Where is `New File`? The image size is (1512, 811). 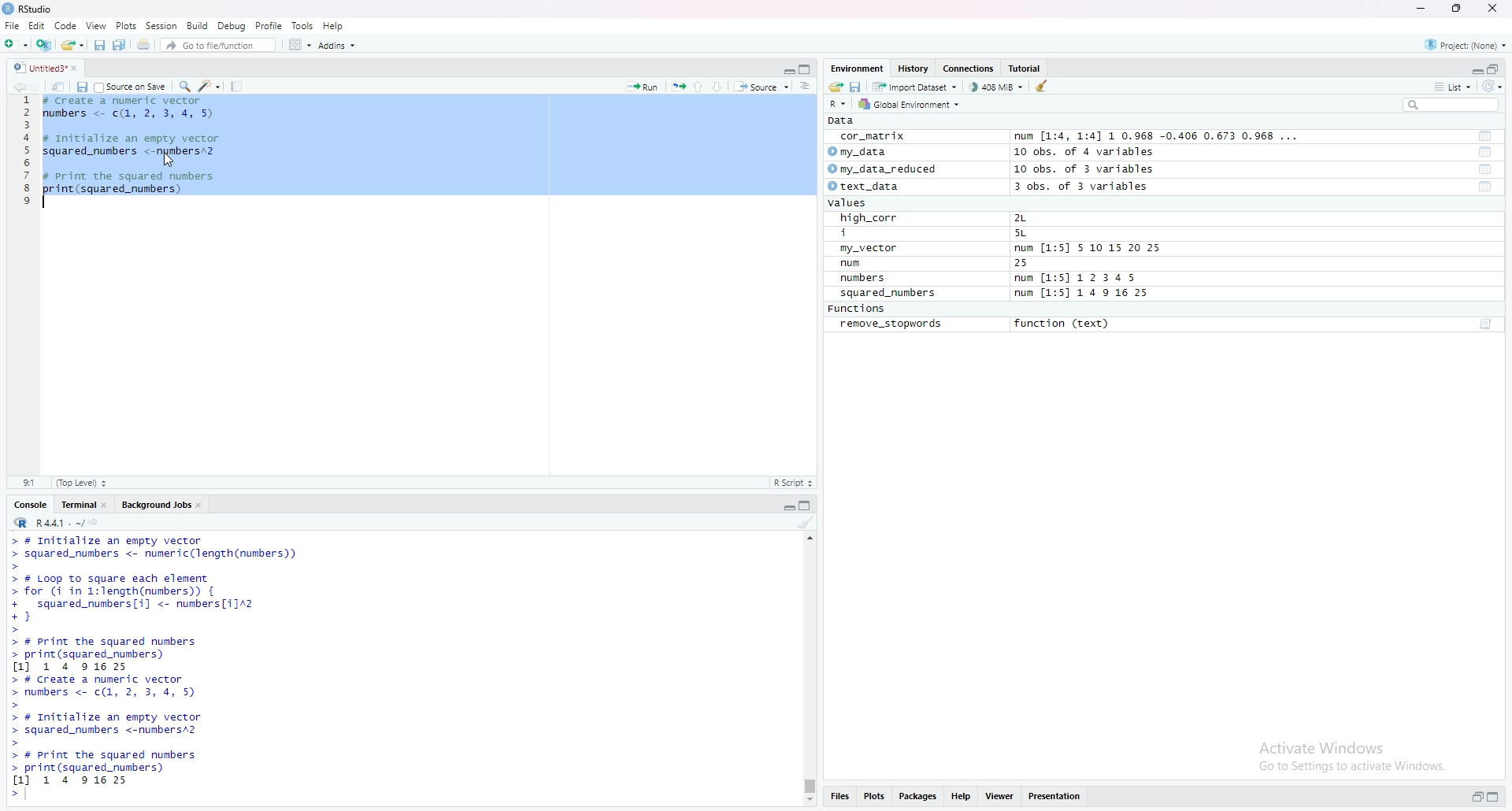
New File is located at coordinates (15, 43).